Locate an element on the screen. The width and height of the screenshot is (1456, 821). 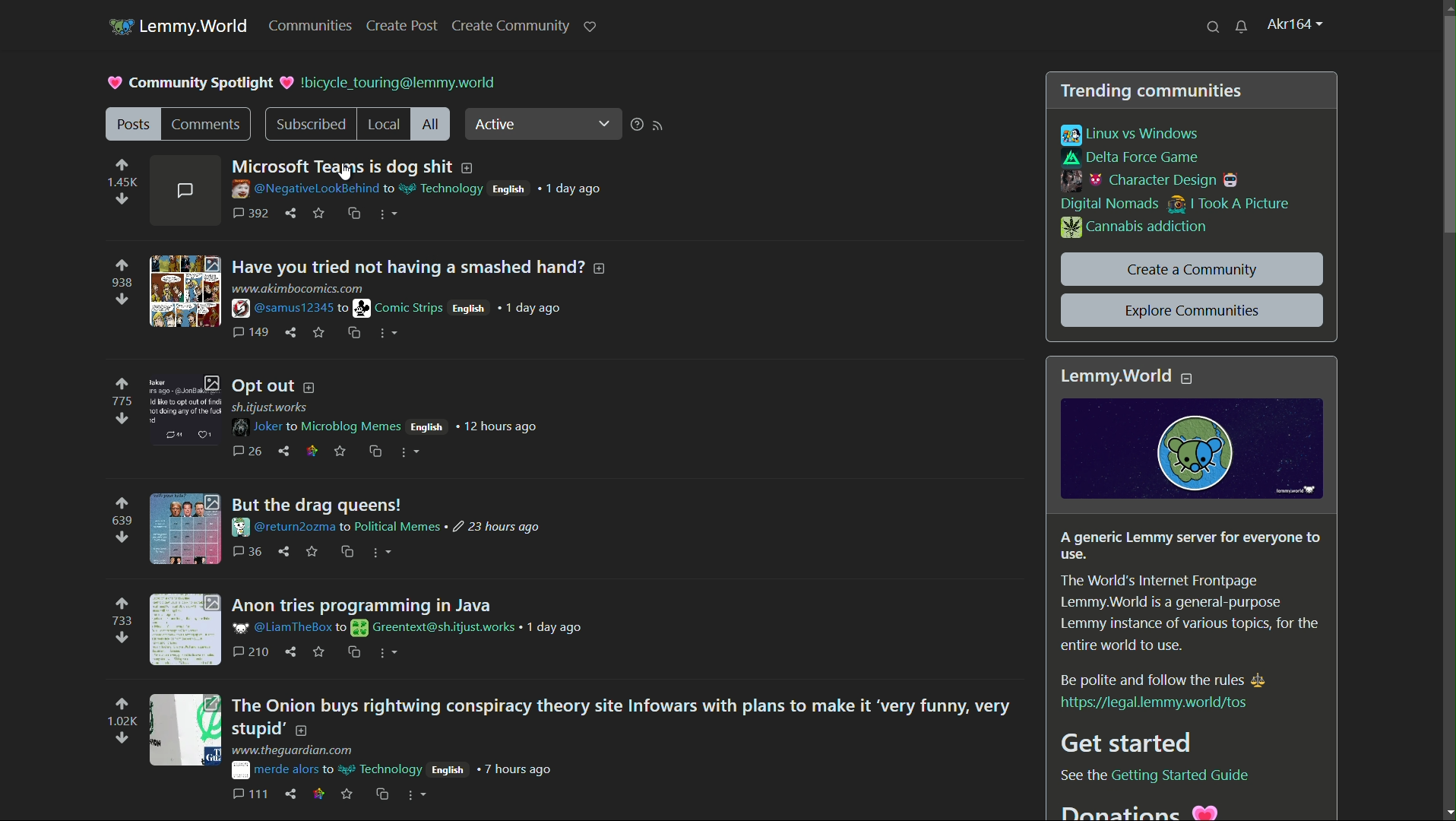
link is located at coordinates (1154, 702).